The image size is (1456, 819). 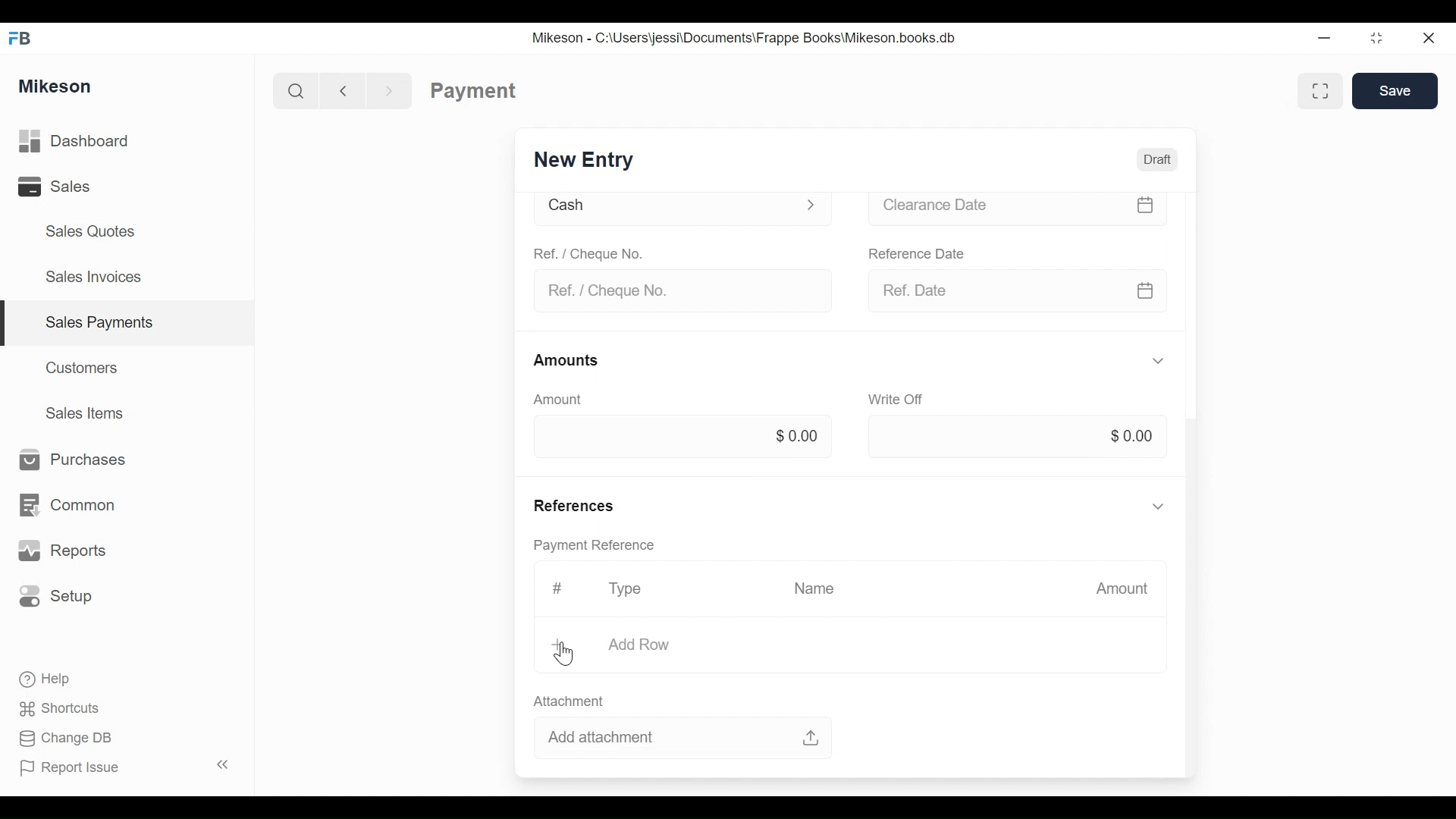 I want to click on Maximize, so click(x=1374, y=40).